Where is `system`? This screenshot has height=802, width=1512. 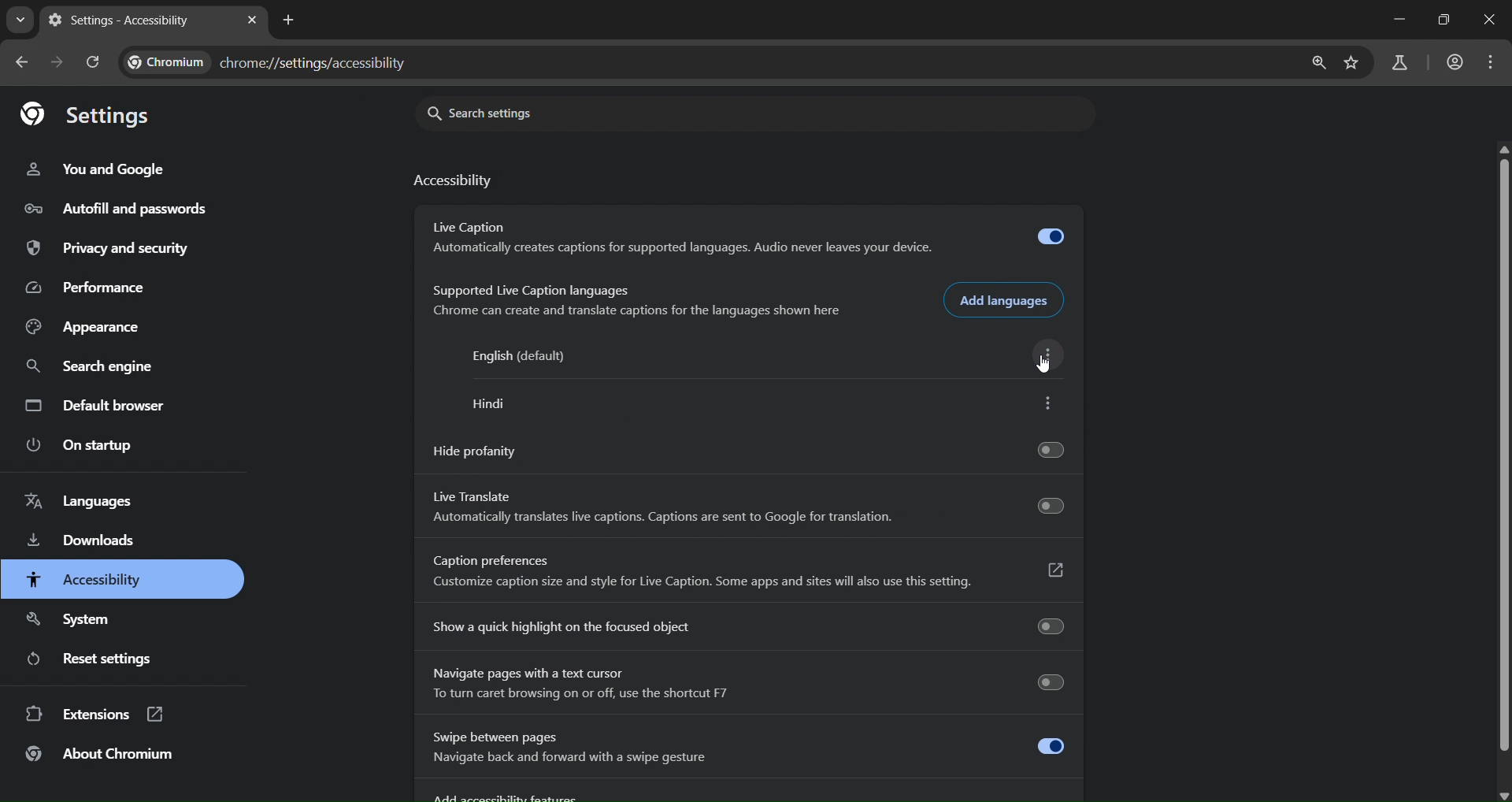 system is located at coordinates (74, 618).